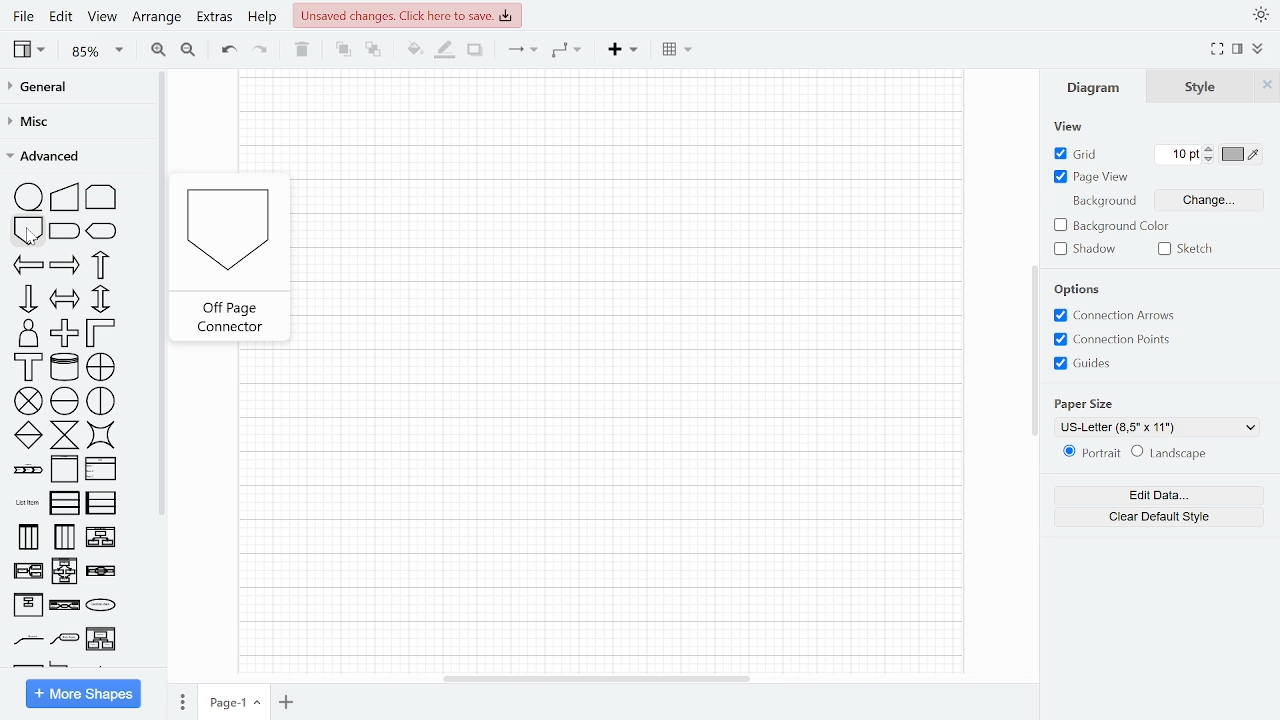 This screenshot has height=720, width=1280. Describe the element at coordinates (26, 333) in the screenshot. I see `user` at that location.